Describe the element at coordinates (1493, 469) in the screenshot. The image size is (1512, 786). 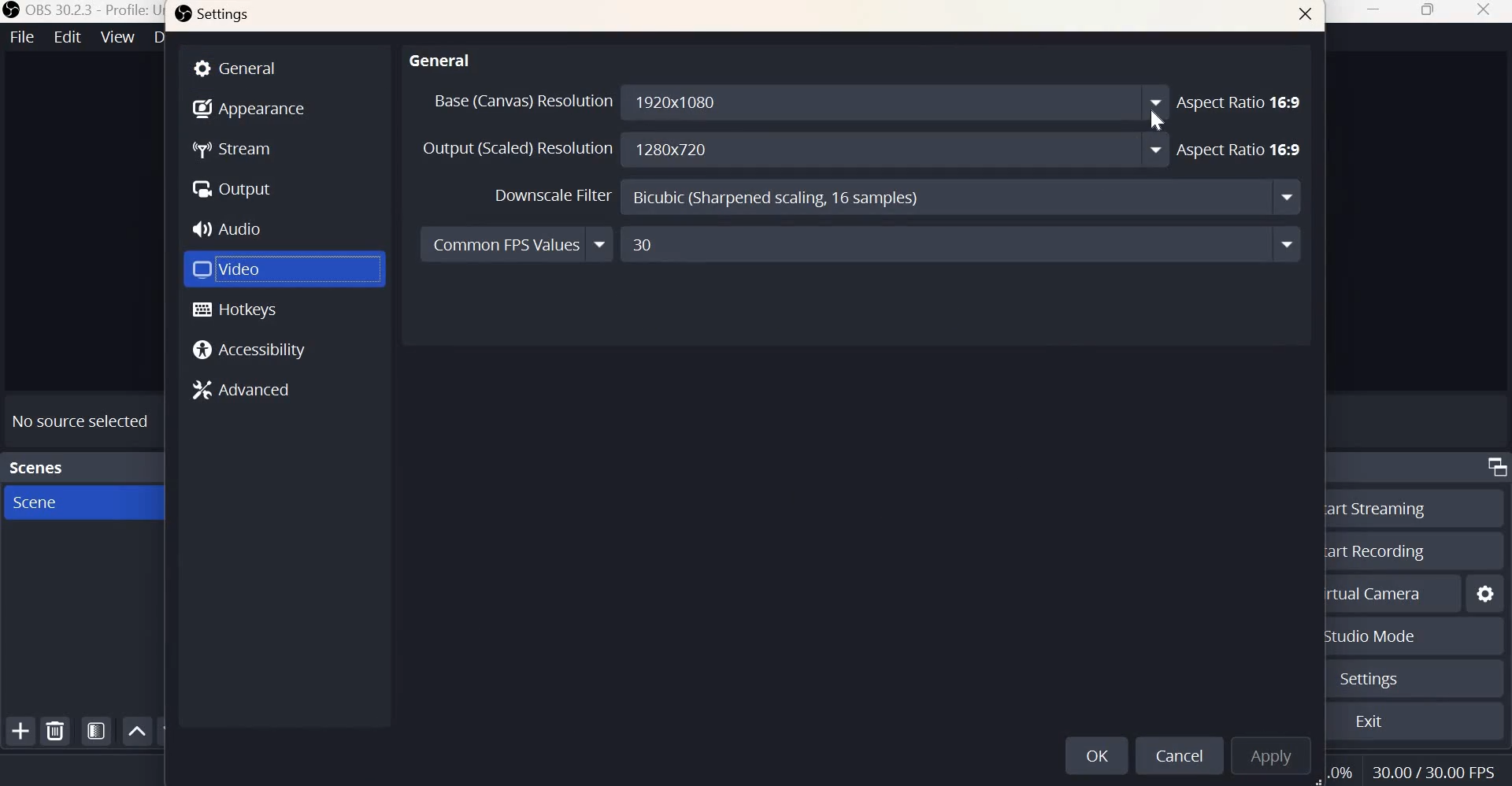
I see `Dock Options icon` at that location.